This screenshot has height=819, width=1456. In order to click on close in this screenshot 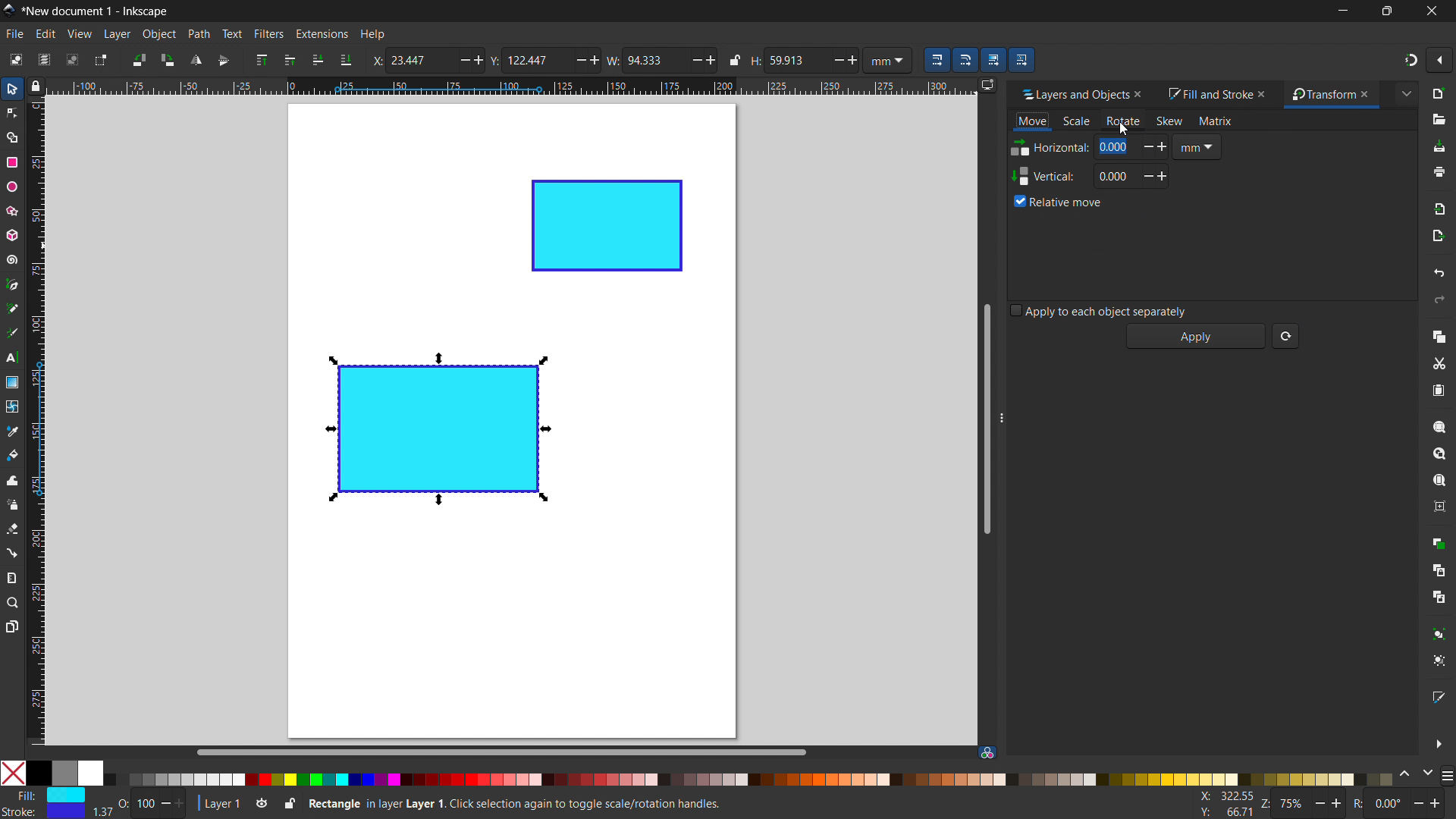, I will do `click(1372, 94)`.